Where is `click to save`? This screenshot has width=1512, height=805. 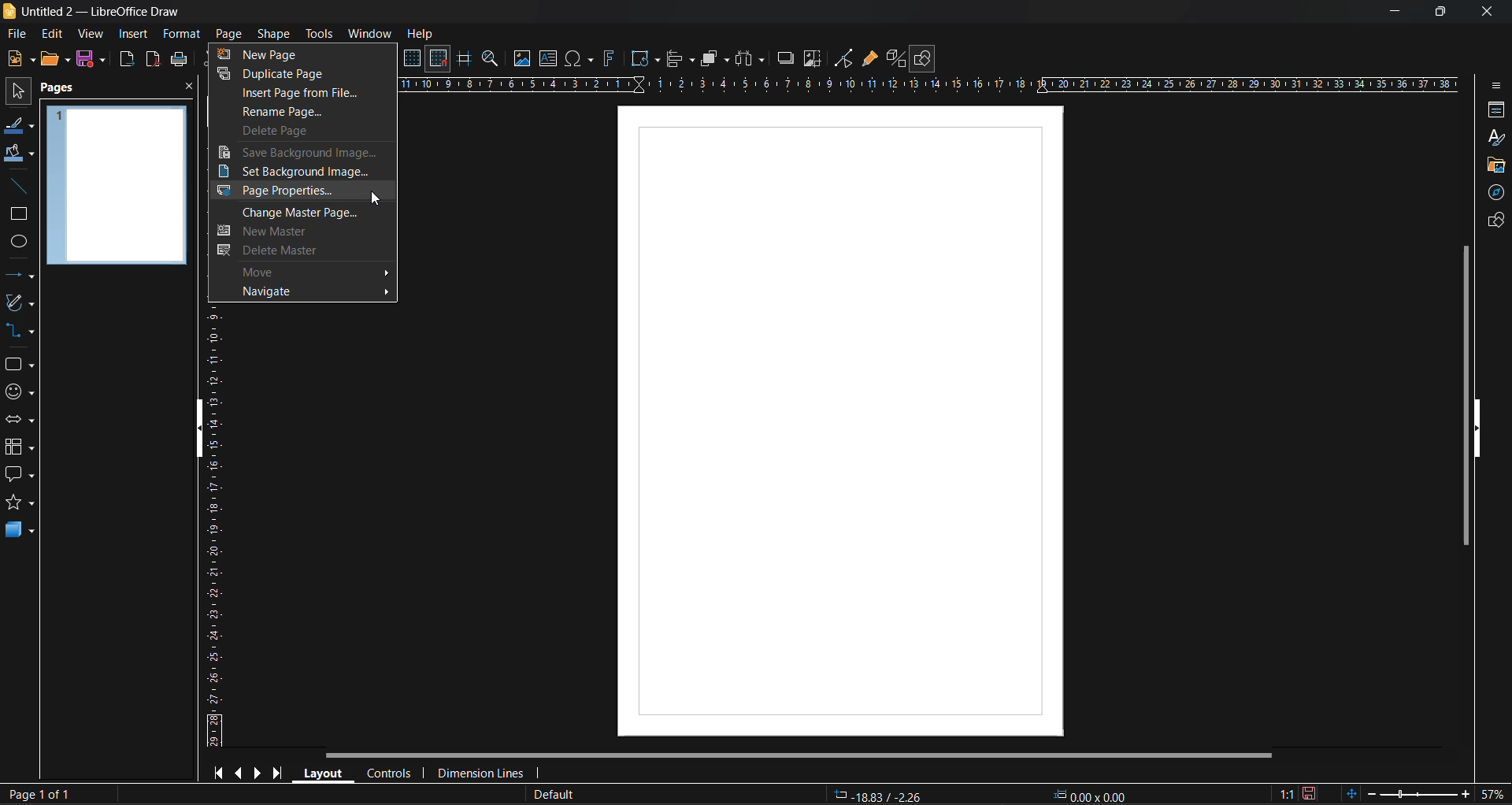 click to save is located at coordinates (1309, 793).